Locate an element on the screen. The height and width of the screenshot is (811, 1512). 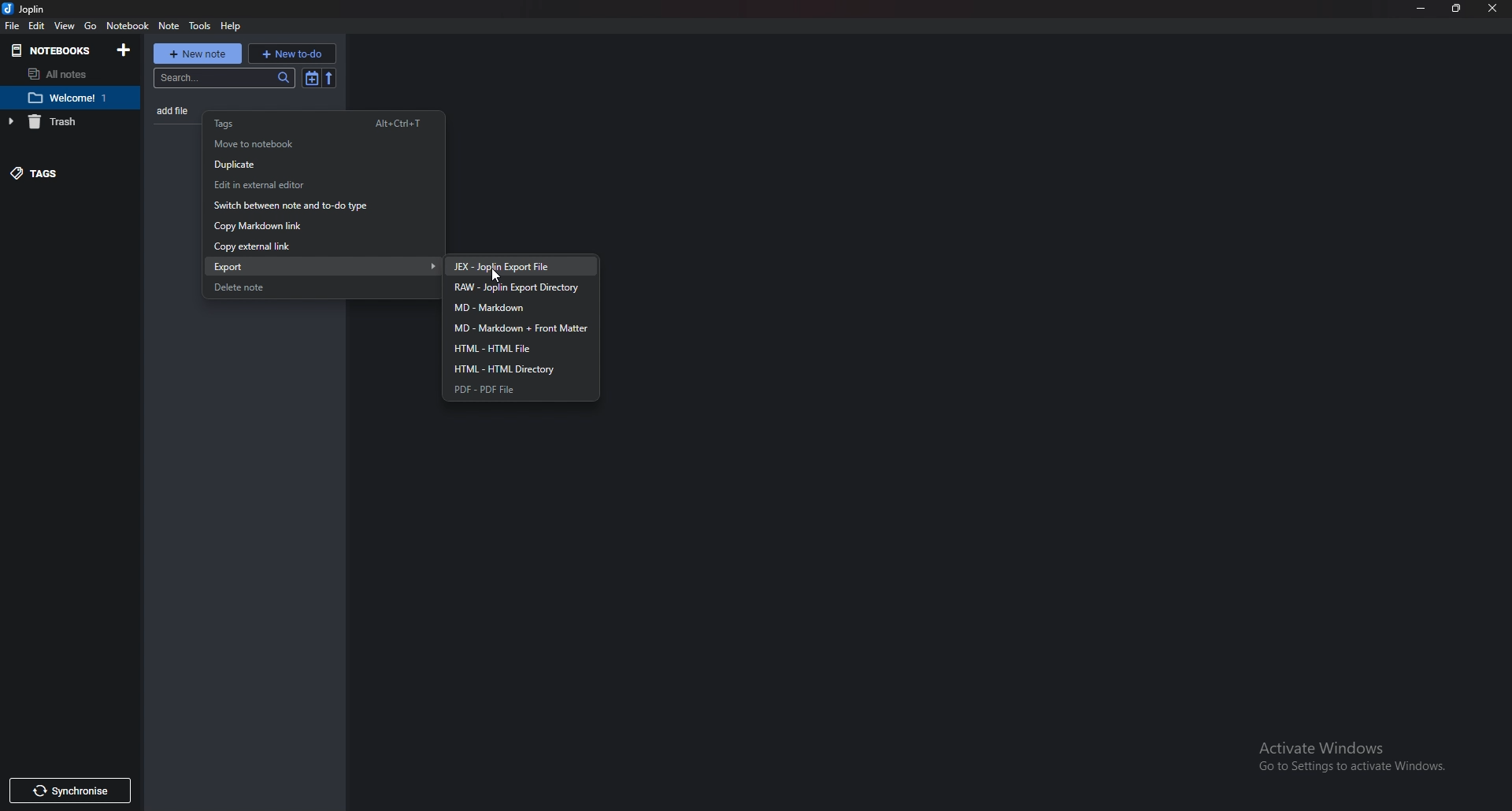
New to do is located at coordinates (292, 53).